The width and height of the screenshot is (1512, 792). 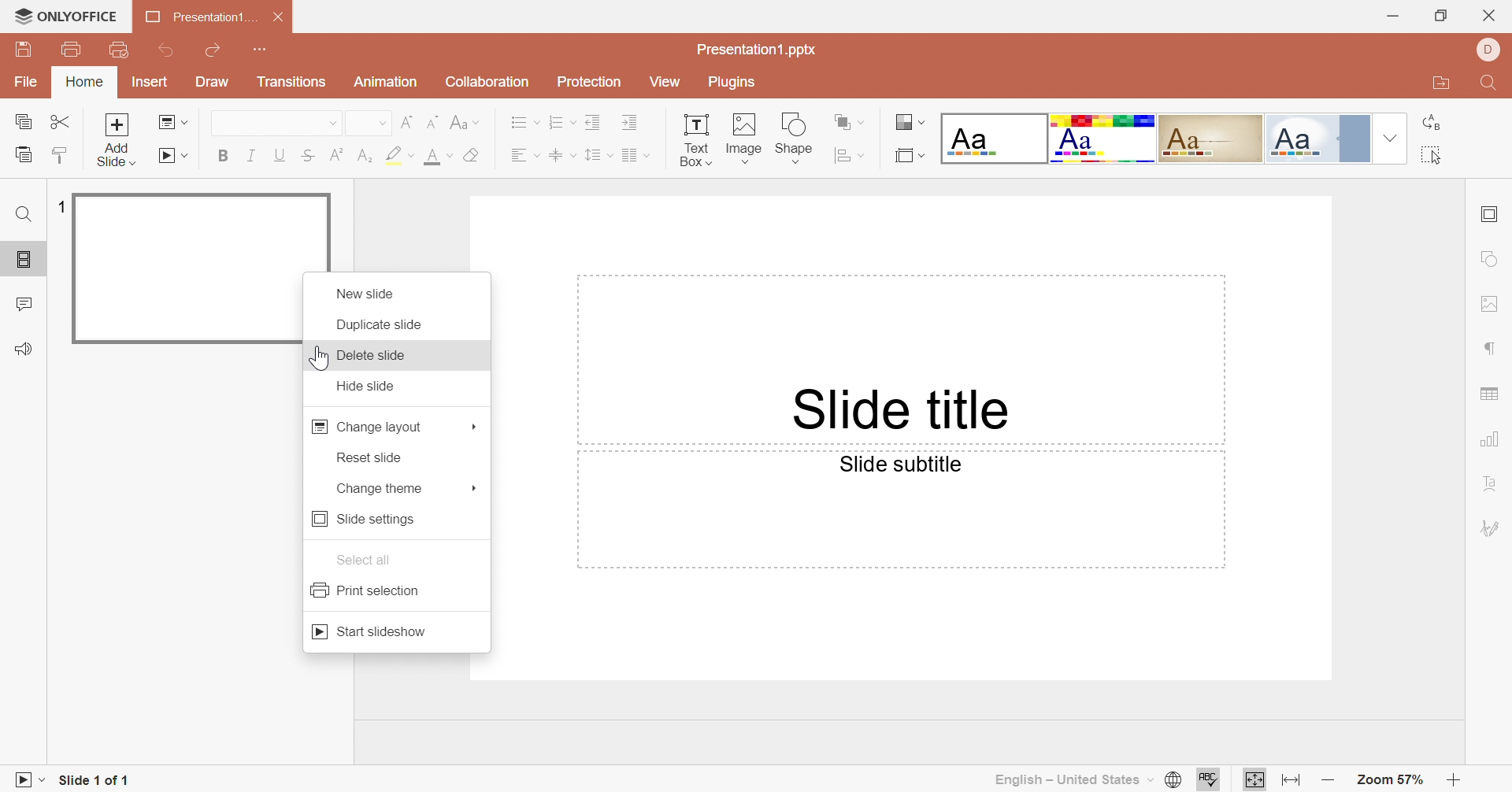 What do you see at coordinates (925, 155) in the screenshot?
I see `Drop Down` at bounding box center [925, 155].